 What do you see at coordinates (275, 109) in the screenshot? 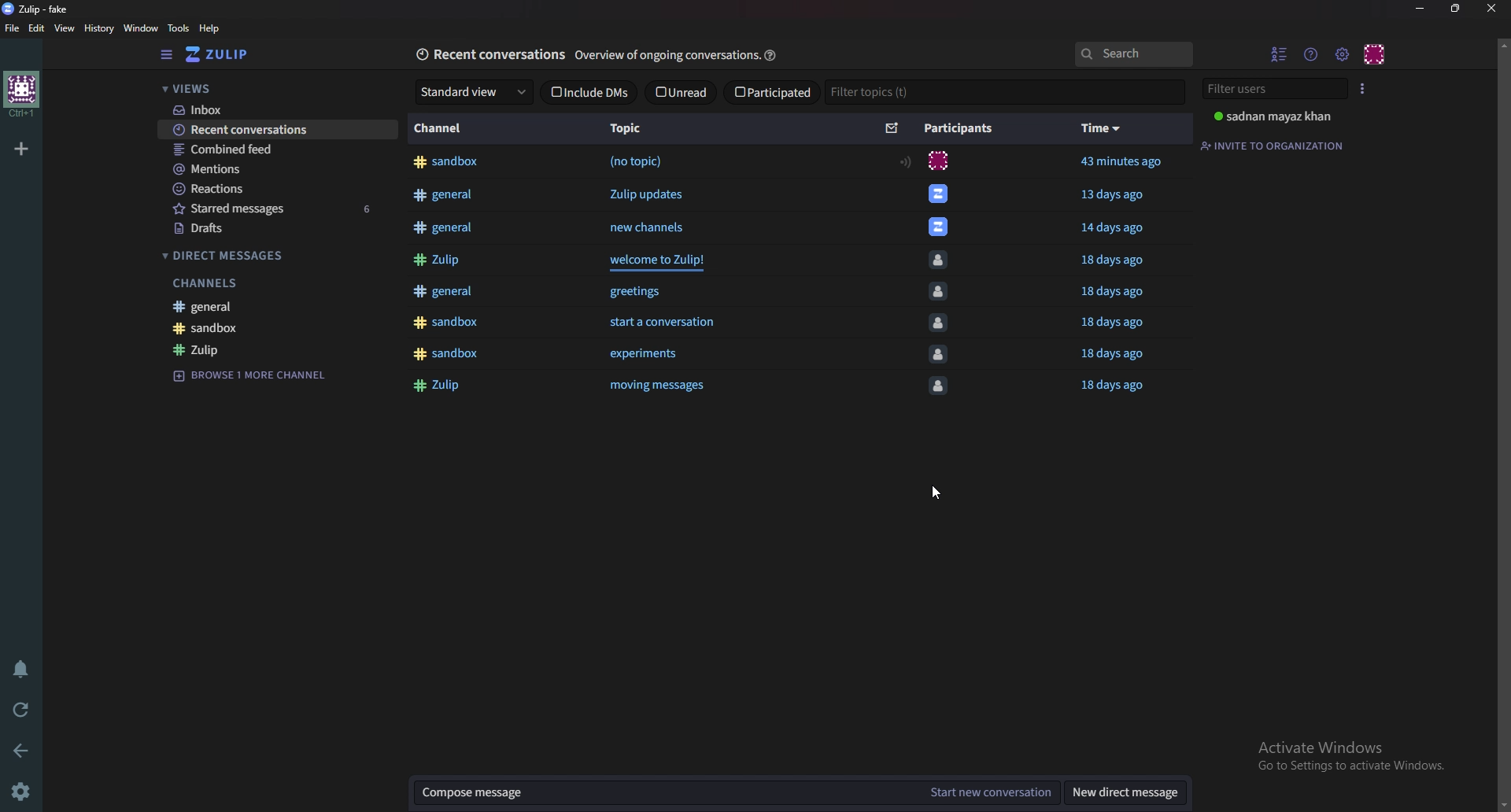
I see `Inbox` at bounding box center [275, 109].